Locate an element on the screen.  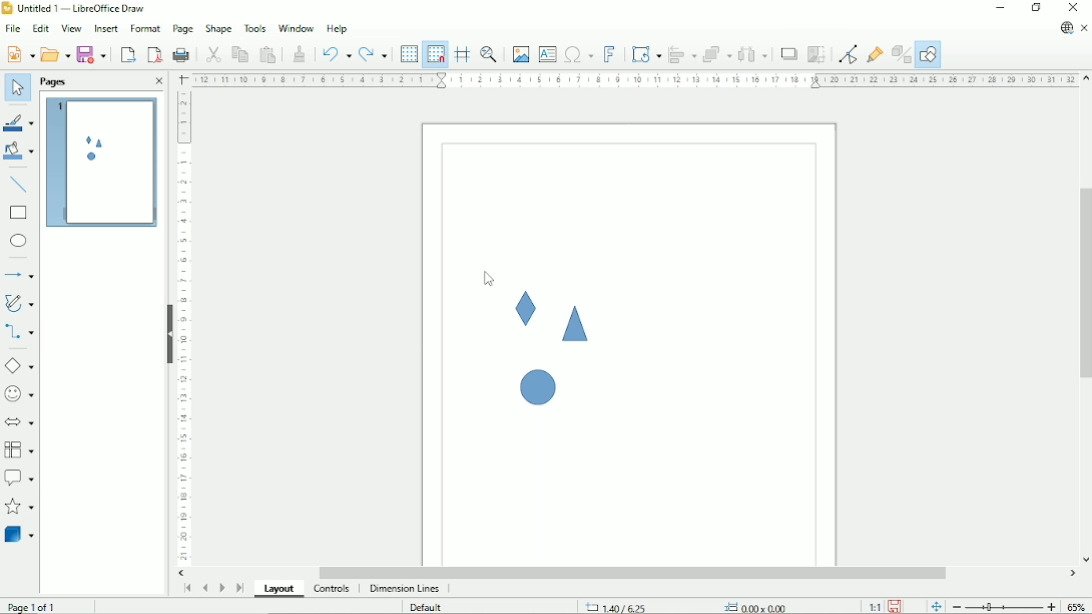
Controls is located at coordinates (332, 590).